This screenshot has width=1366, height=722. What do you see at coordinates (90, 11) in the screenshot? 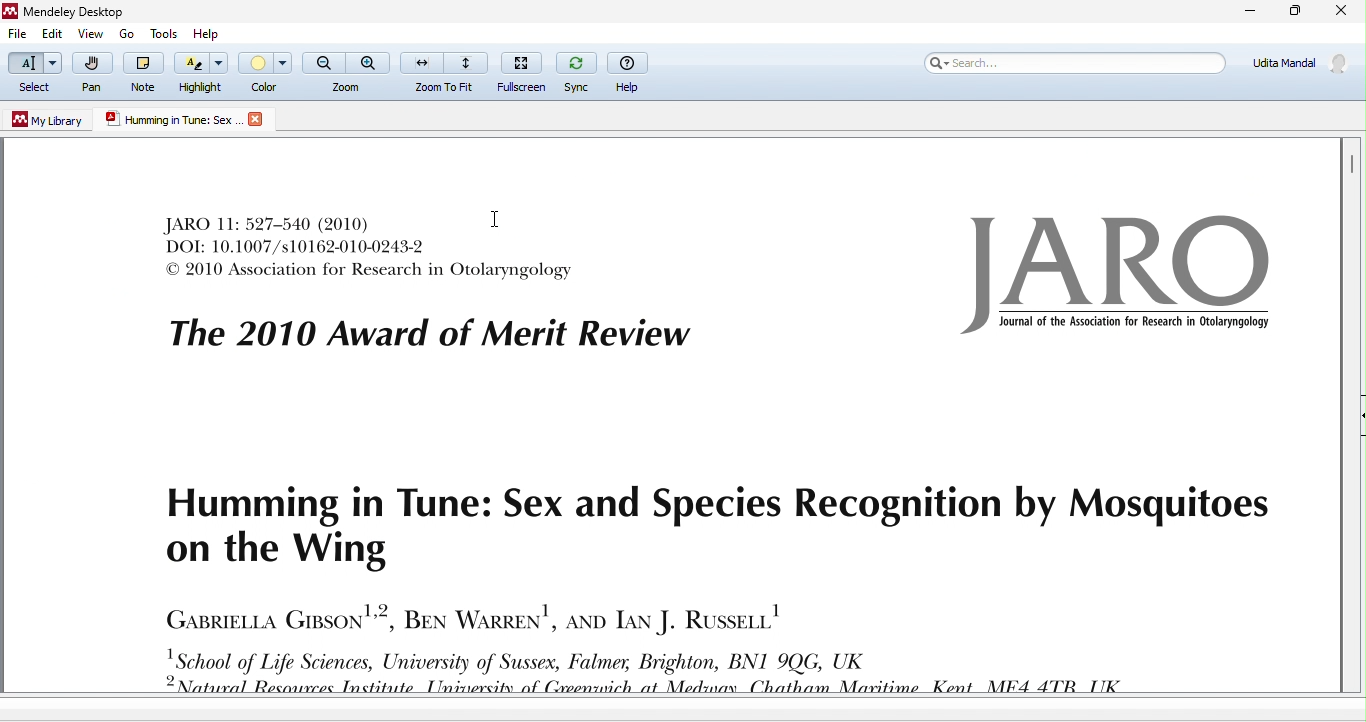
I see `Mendeley Desktop` at bounding box center [90, 11].